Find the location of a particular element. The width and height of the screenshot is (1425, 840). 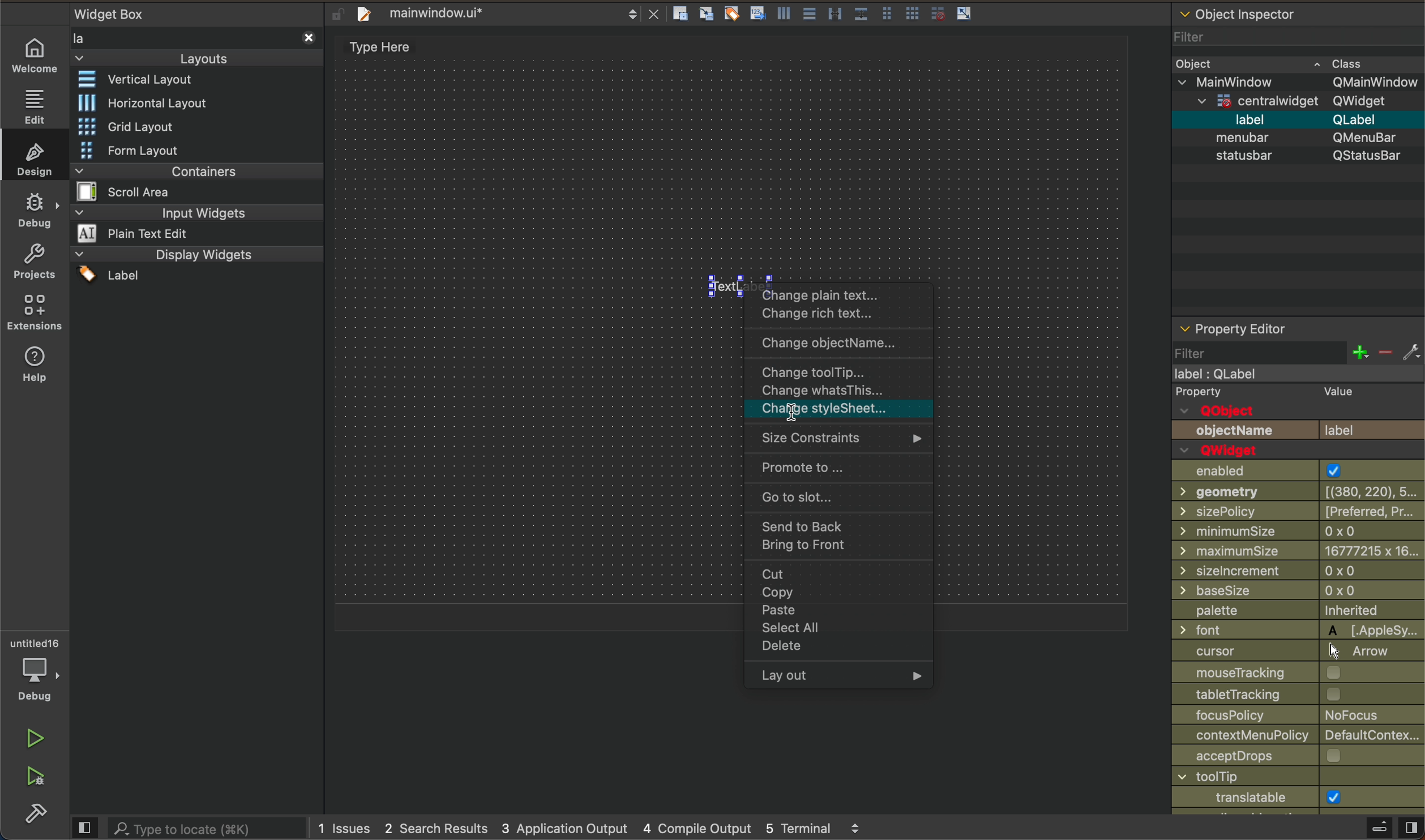

vertical layout is located at coordinates (147, 80).